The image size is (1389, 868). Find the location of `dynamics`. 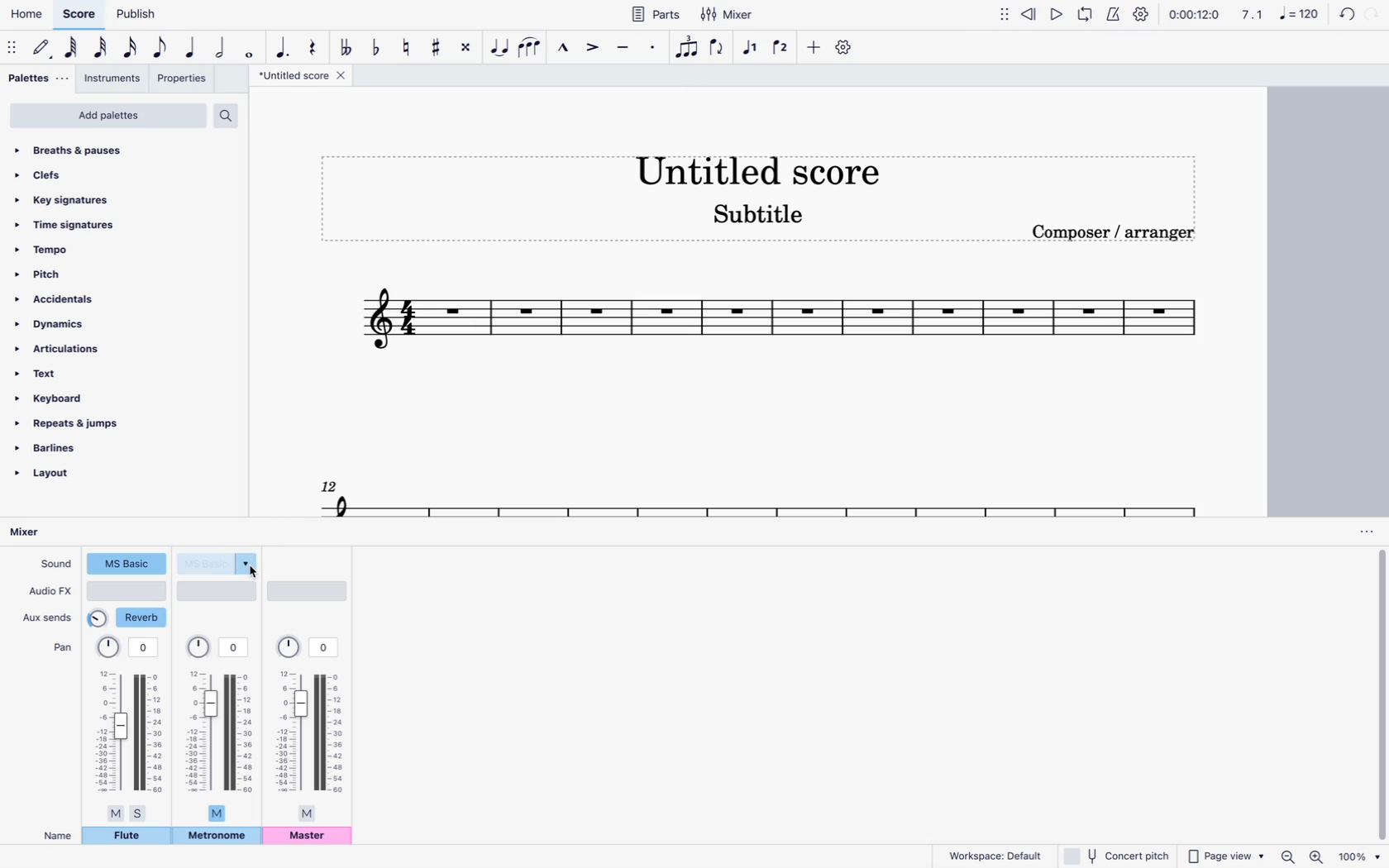

dynamics is located at coordinates (88, 323).